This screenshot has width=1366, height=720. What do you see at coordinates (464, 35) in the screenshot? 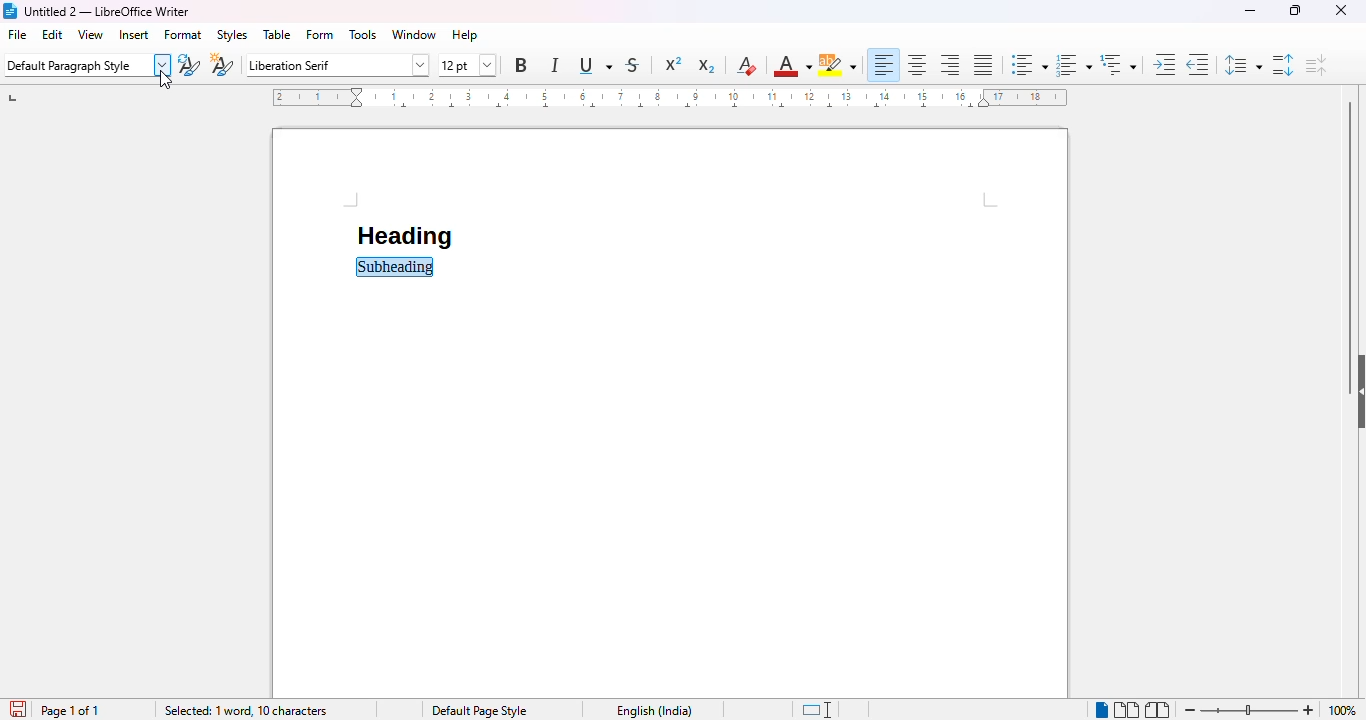
I see `help` at bounding box center [464, 35].